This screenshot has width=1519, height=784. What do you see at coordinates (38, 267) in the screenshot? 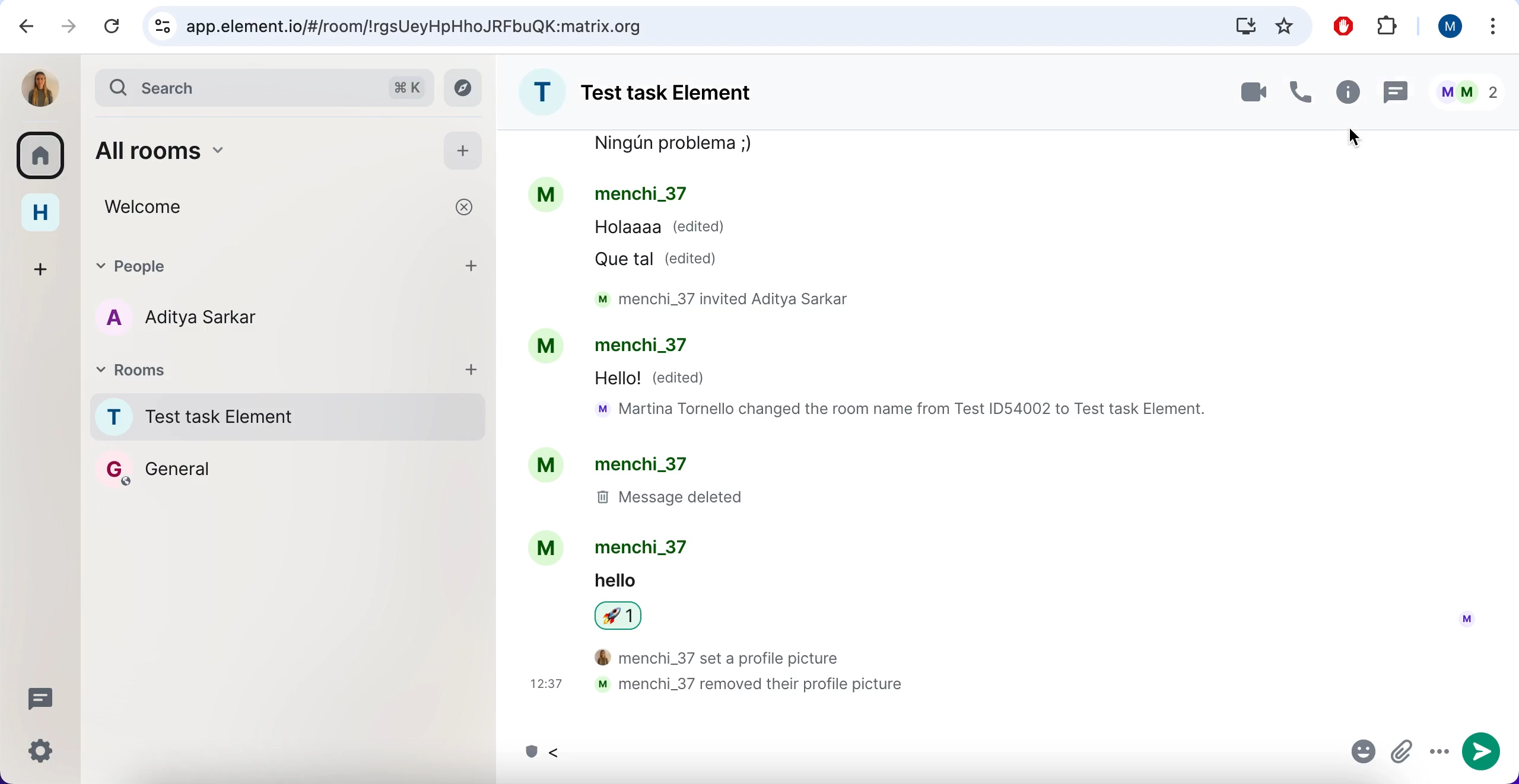
I see `create a space` at bounding box center [38, 267].